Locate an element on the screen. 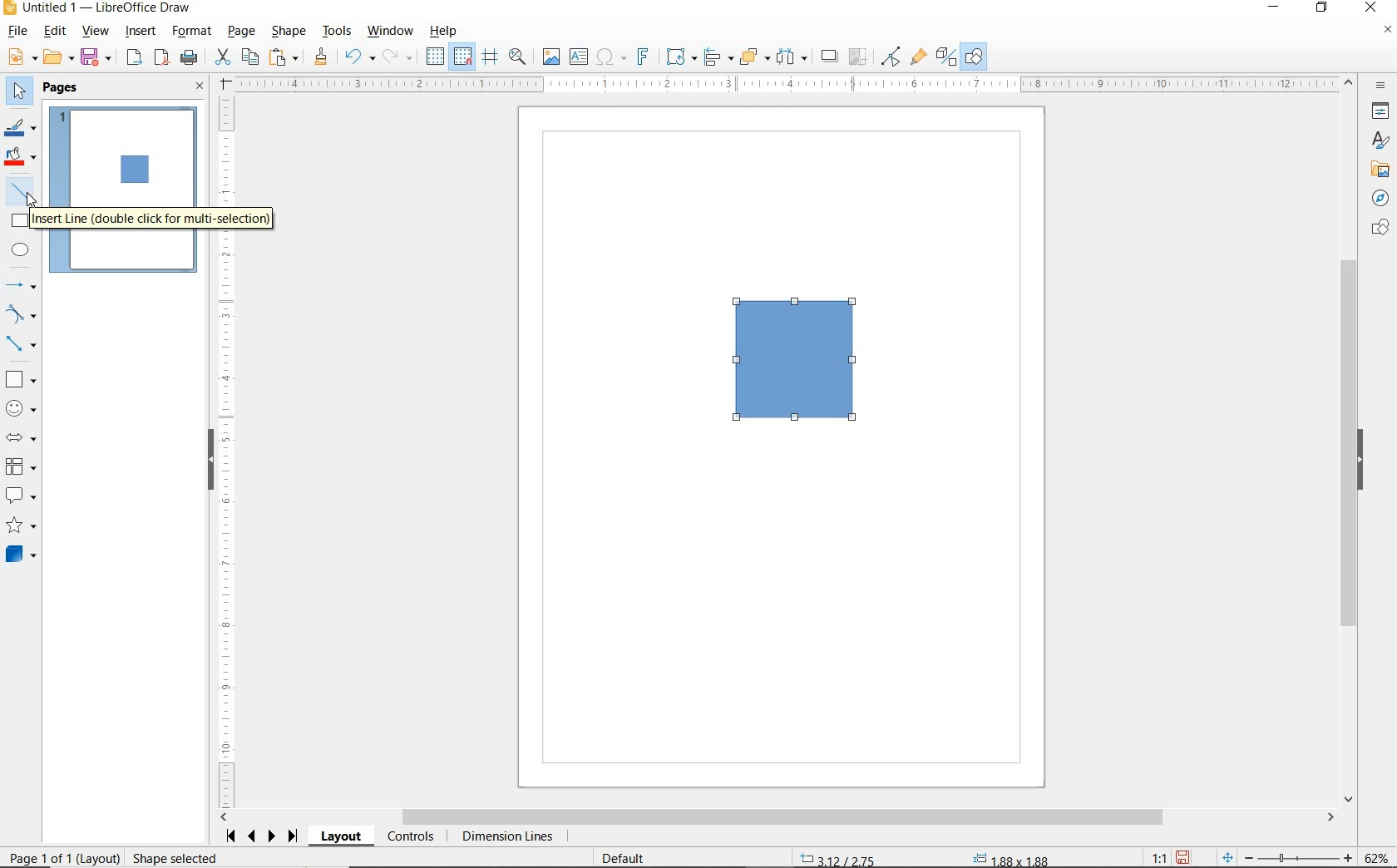 The width and height of the screenshot is (1397, 868). LAYOUT is located at coordinates (343, 836).